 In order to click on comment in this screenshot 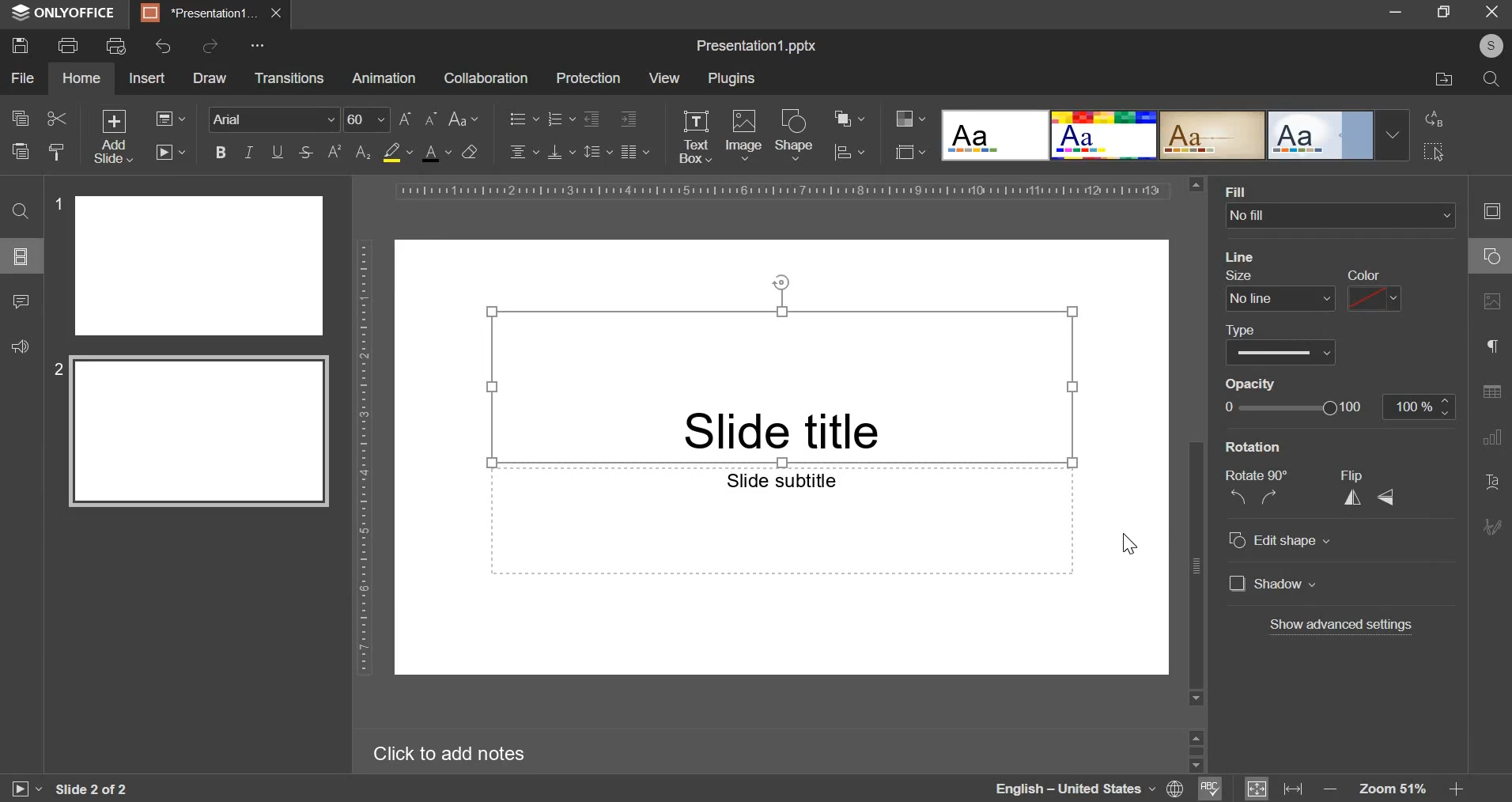, I will do `click(20, 299)`.